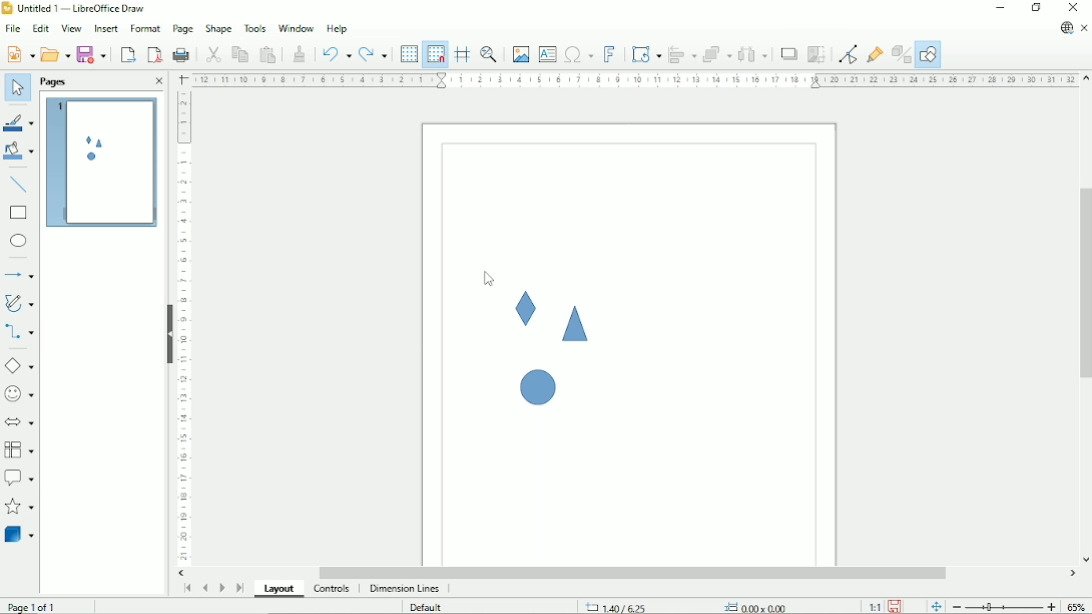 This screenshot has height=614, width=1092. Describe the element at coordinates (336, 52) in the screenshot. I see `Undo` at that location.